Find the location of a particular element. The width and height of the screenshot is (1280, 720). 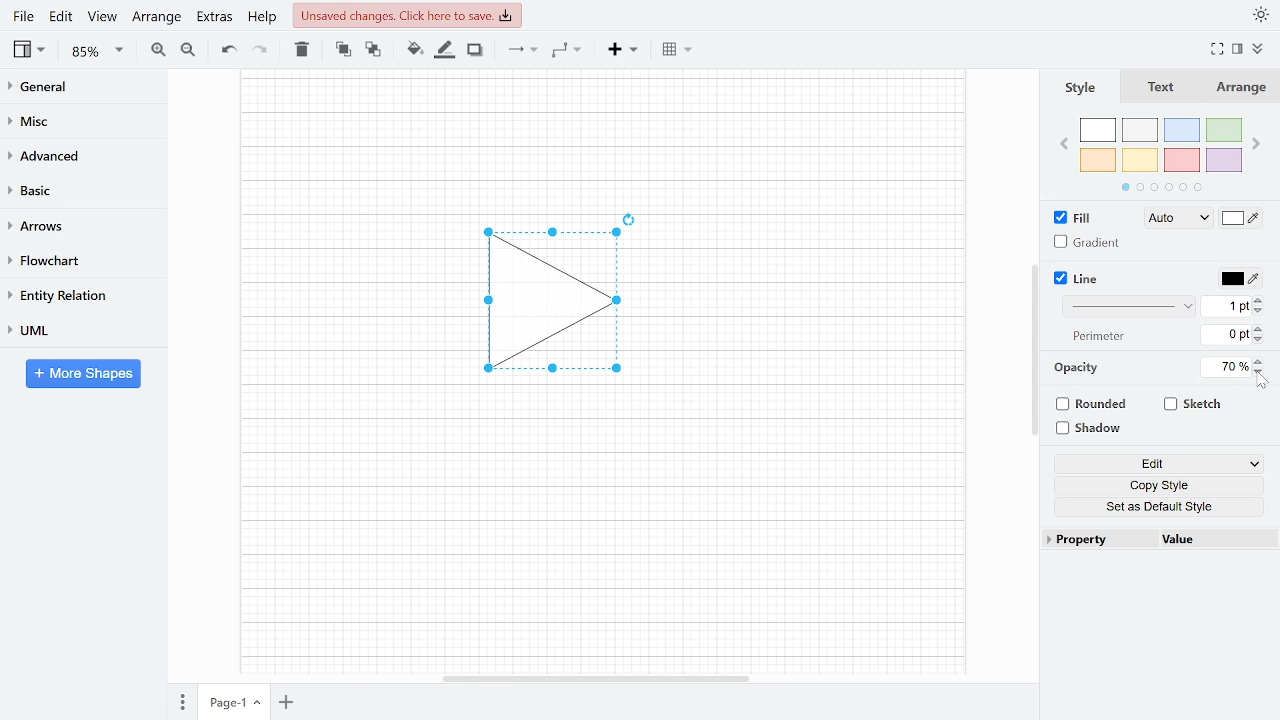

Rounded is located at coordinates (1094, 406).